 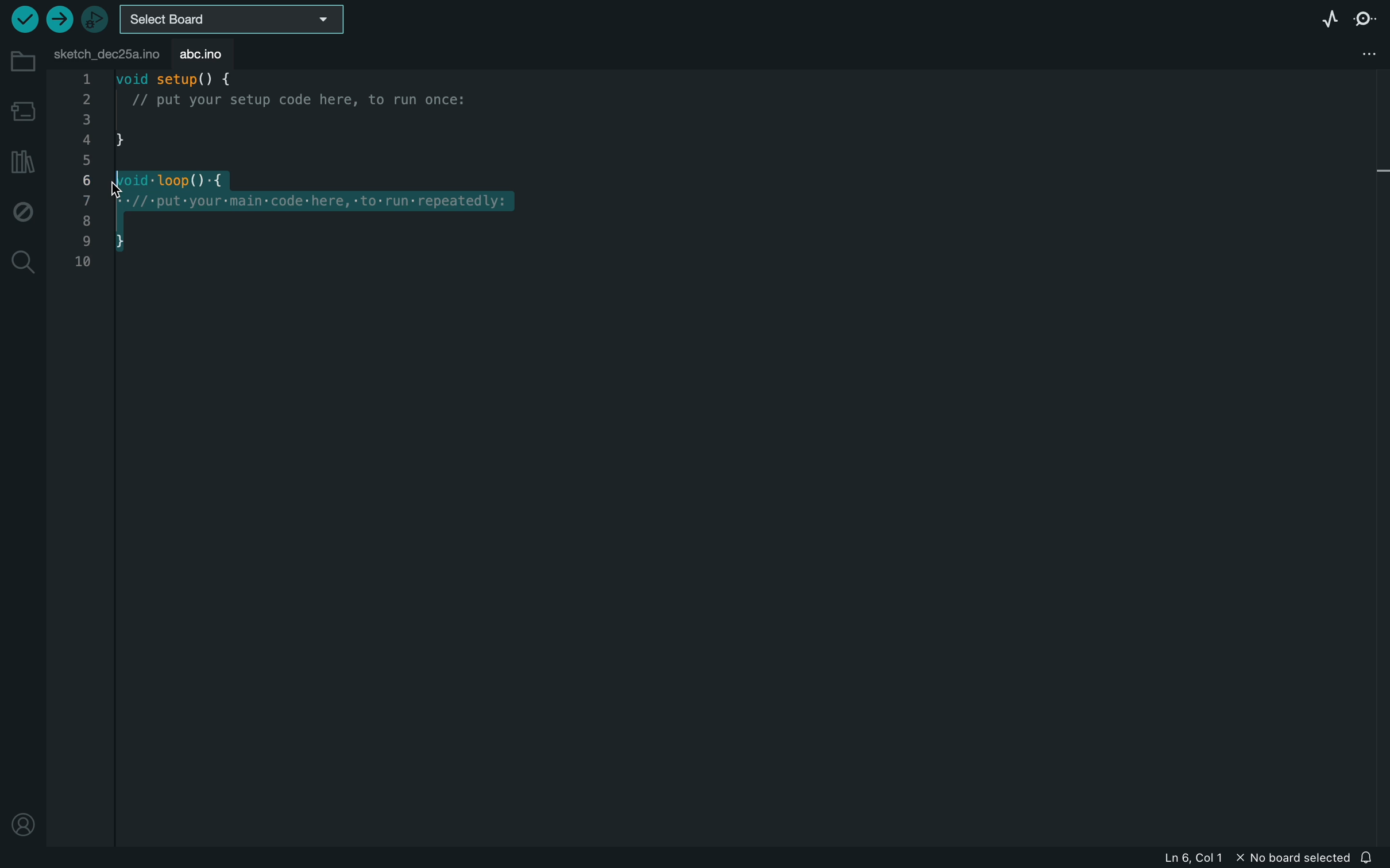 What do you see at coordinates (24, 828) in the screenshot?
I see `profile` at bounding box center [24, 828].